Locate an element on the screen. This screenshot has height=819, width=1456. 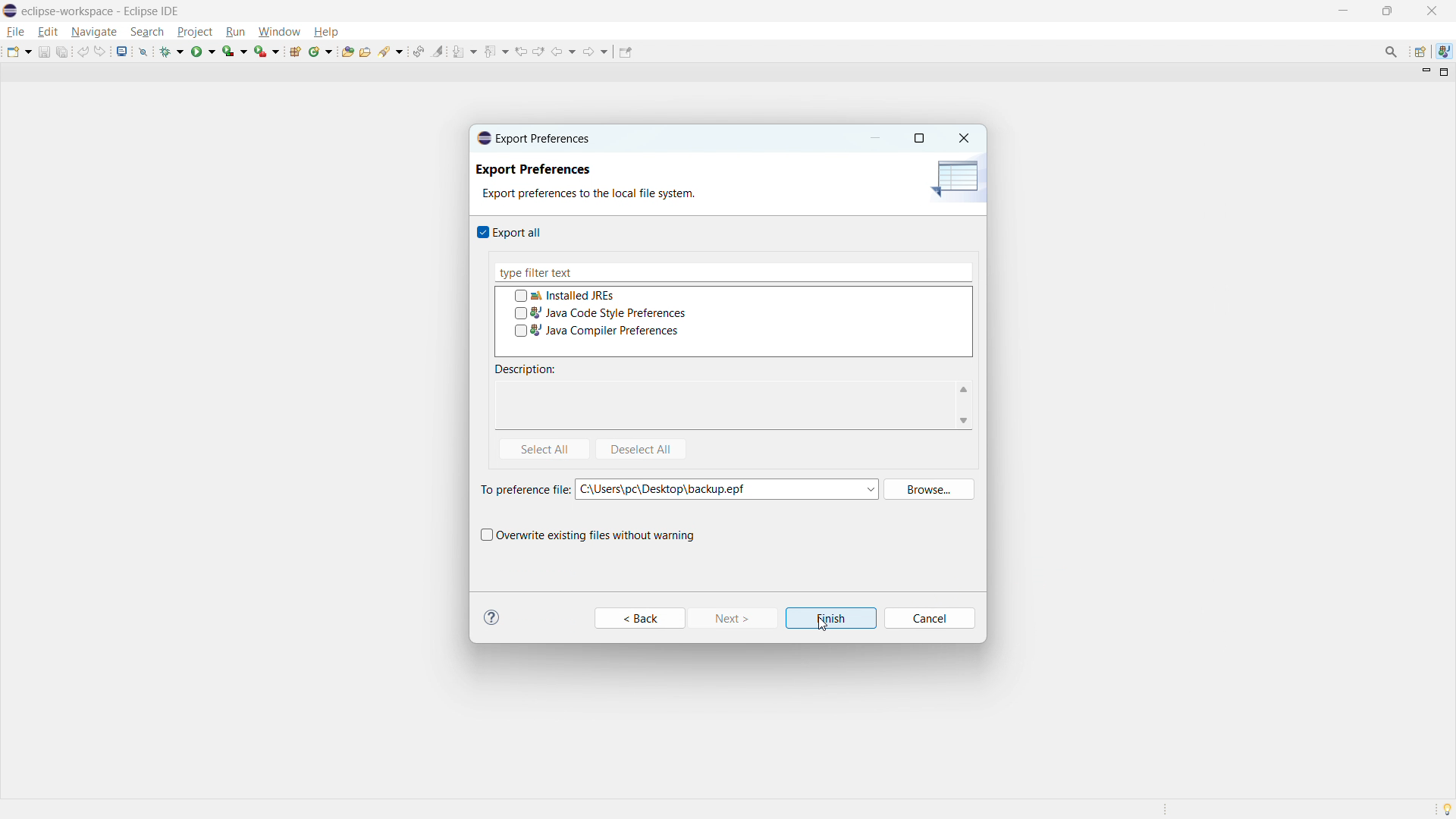
new java package is located at coordinates (295, 51).